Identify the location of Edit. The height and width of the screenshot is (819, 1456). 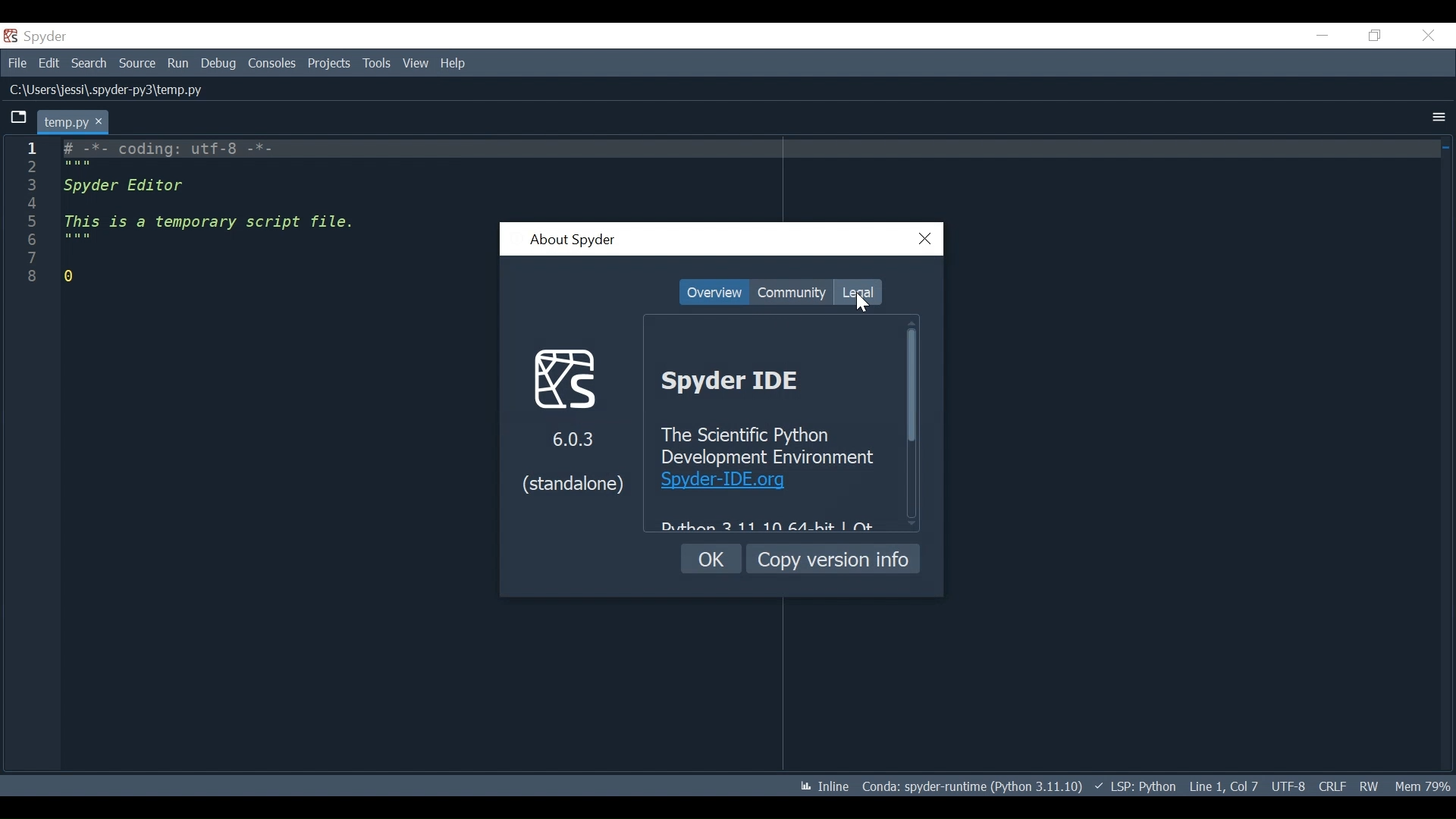
(49, 62).